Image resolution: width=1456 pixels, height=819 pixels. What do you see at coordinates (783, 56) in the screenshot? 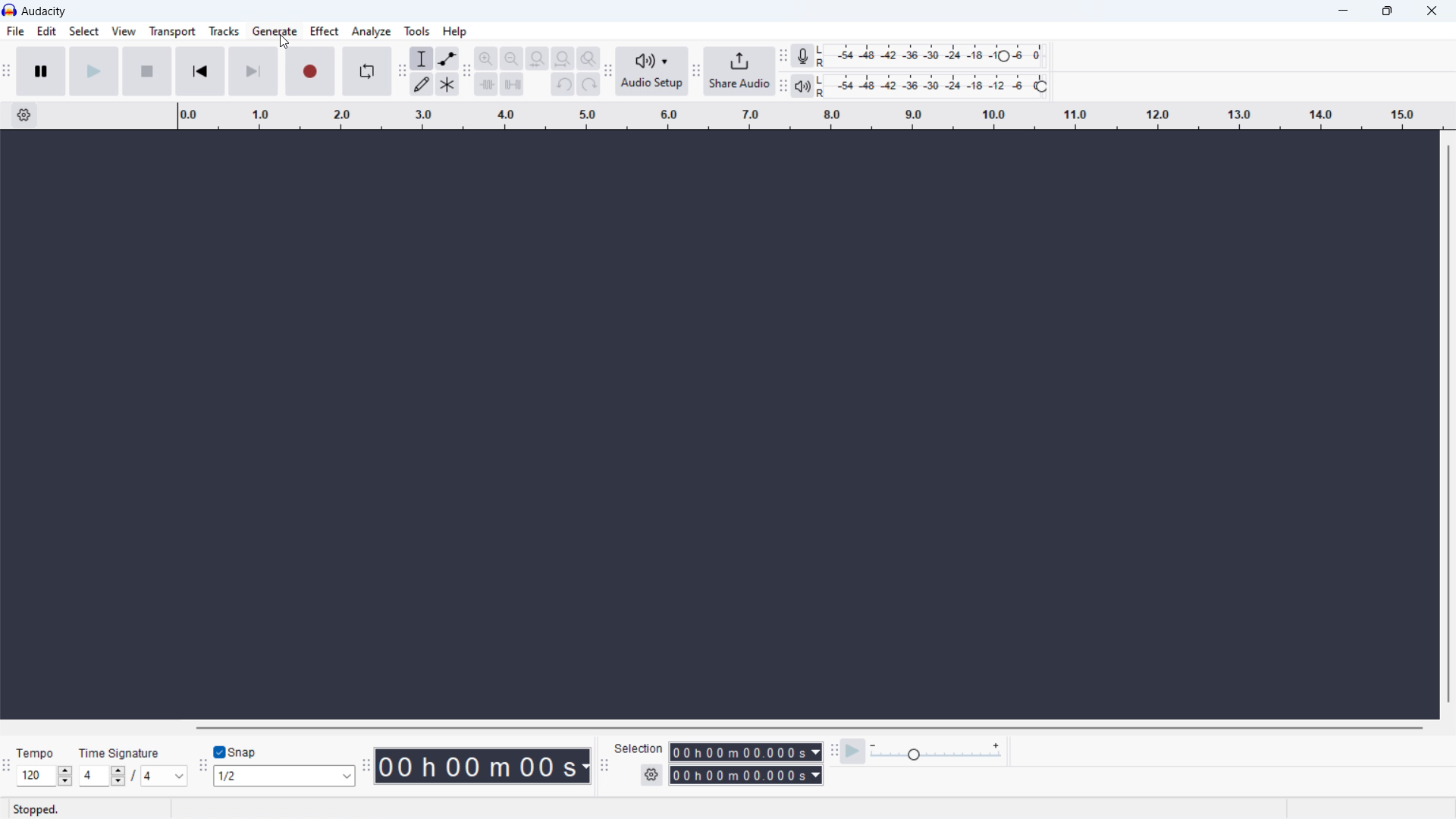
I see `recording meter toolbar` at bounding box center [783, 56].